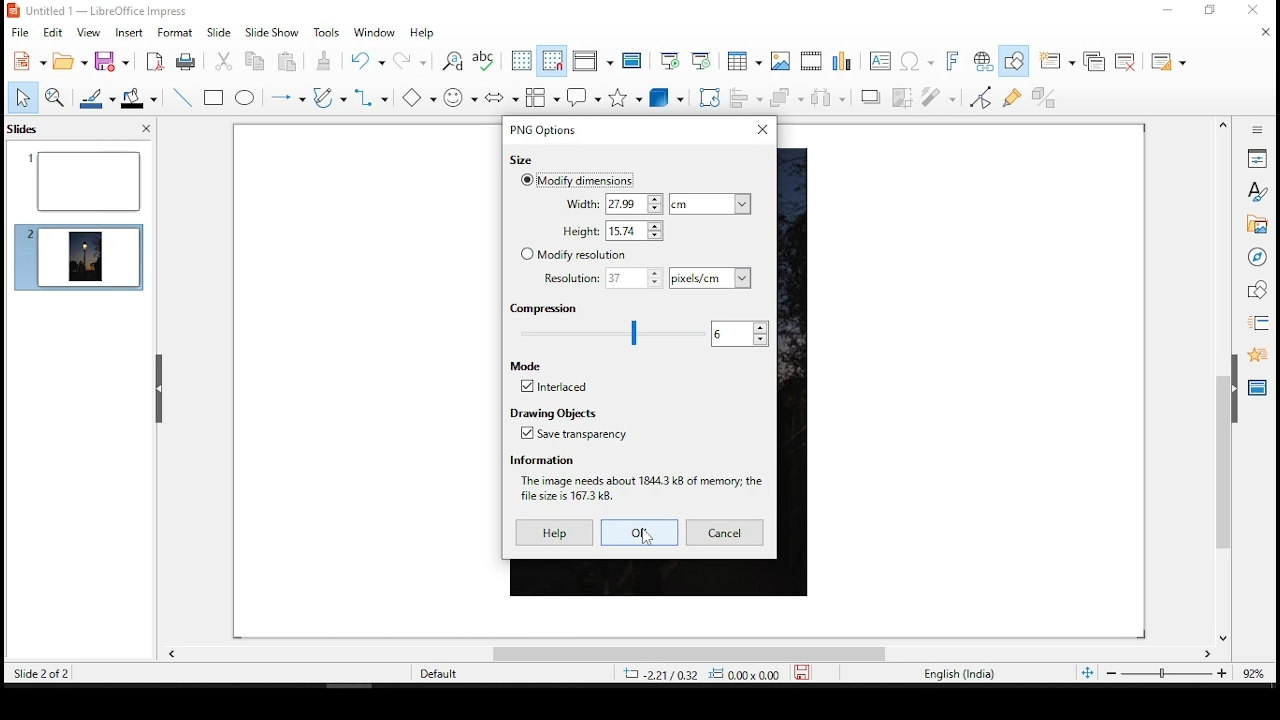 The width and height of the screenshot is (1280, 720). I want to click on start from current slide, so click(703, 59).